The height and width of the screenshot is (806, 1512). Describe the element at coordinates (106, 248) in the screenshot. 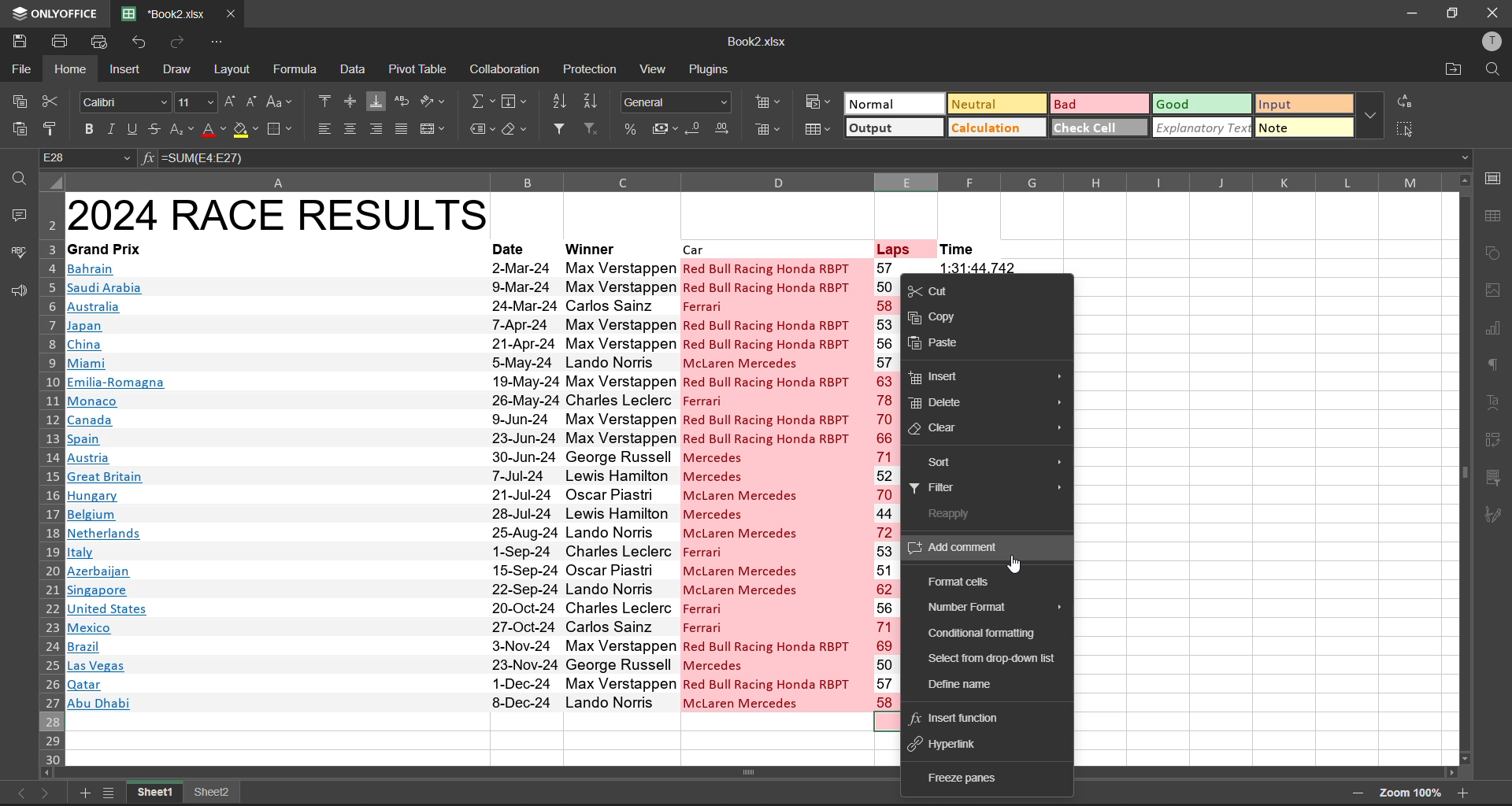

I see `grand prix` at that location.